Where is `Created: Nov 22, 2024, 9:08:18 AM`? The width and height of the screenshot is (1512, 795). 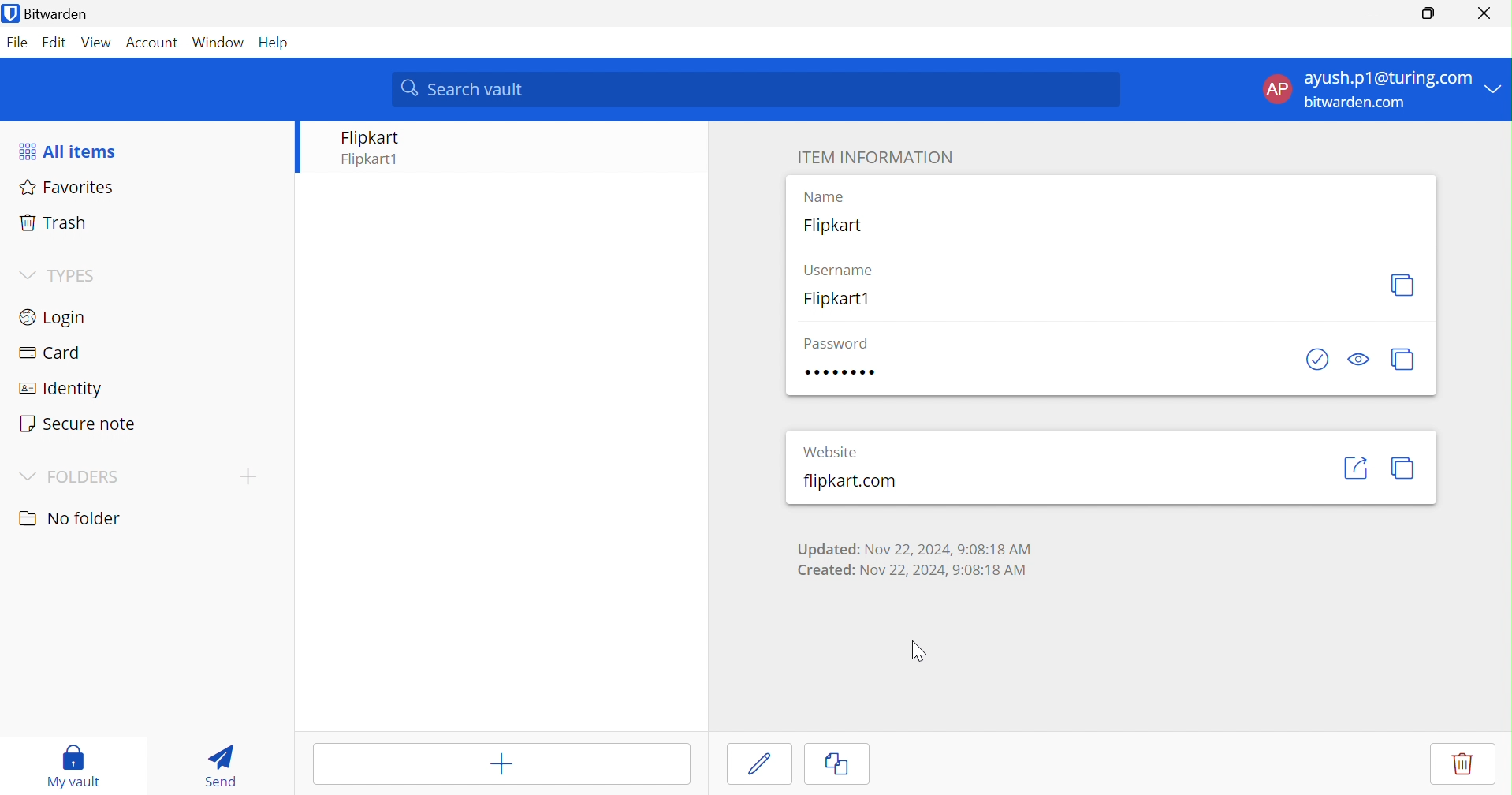
Created: Nov 22, 2024, 9:08:18 AM is located at coordinates (914, 573).